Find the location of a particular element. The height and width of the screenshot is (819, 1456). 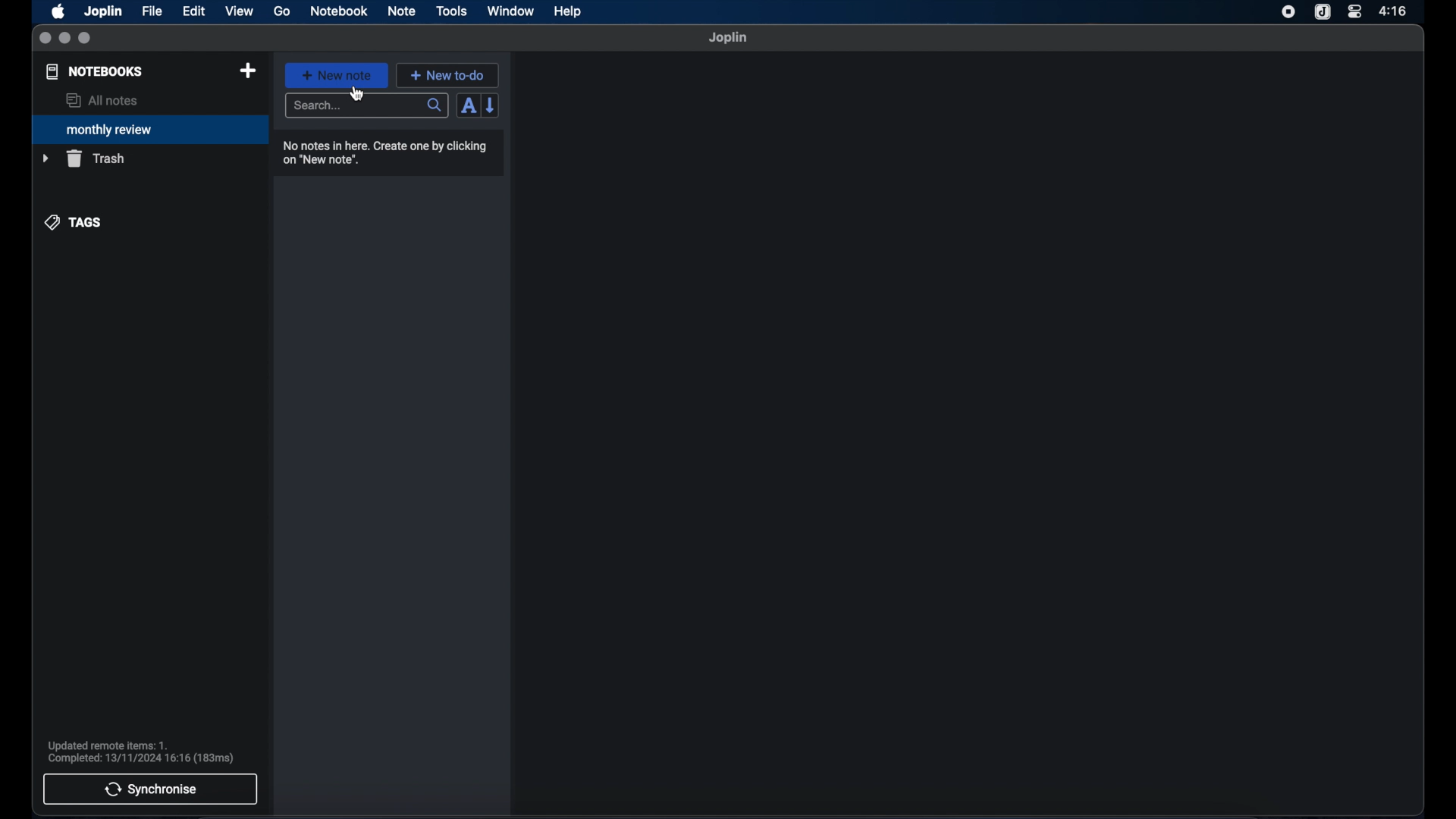

sort order field is located at coordinates (468, 106).